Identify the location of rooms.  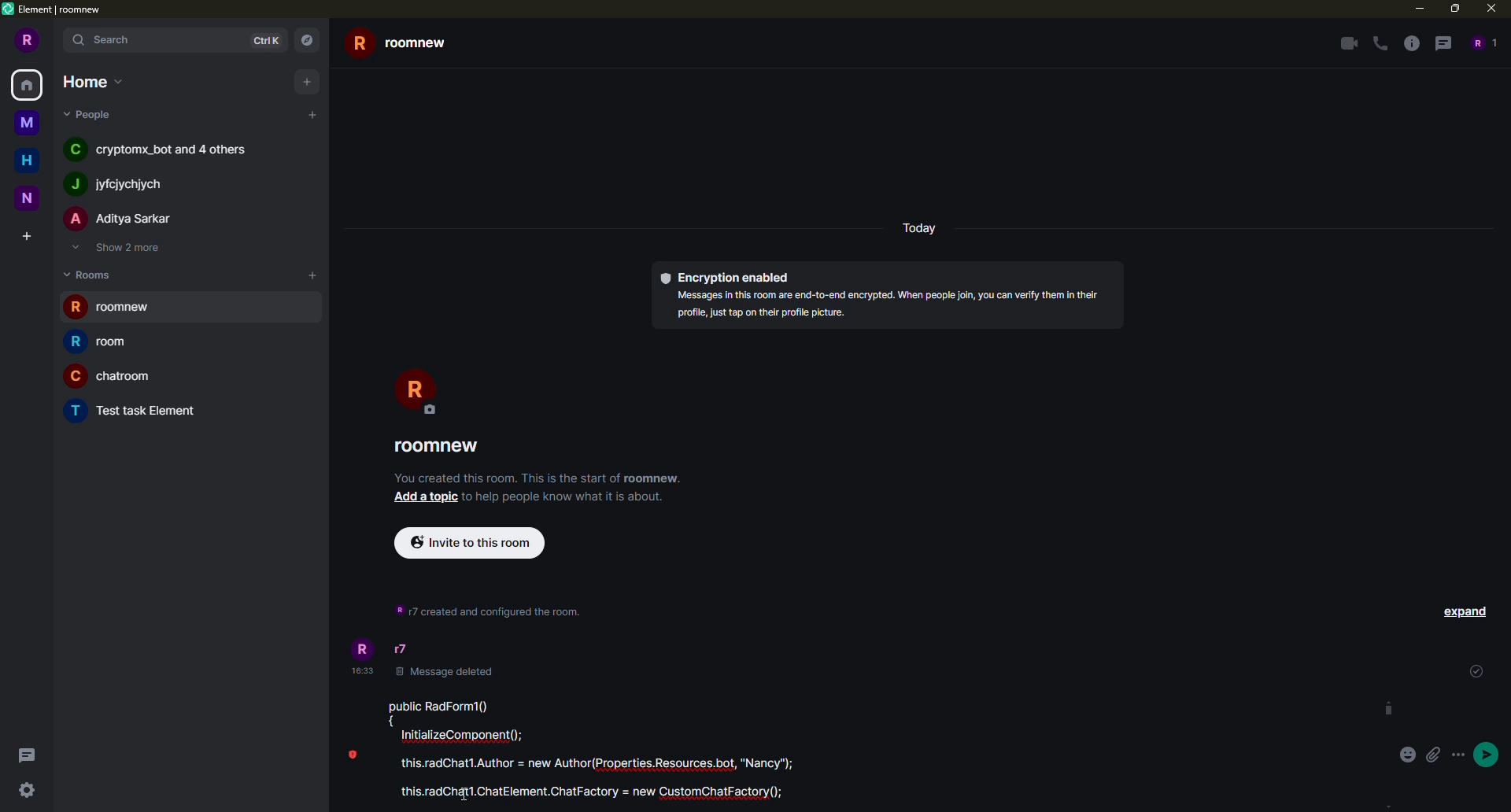
(87, 275).